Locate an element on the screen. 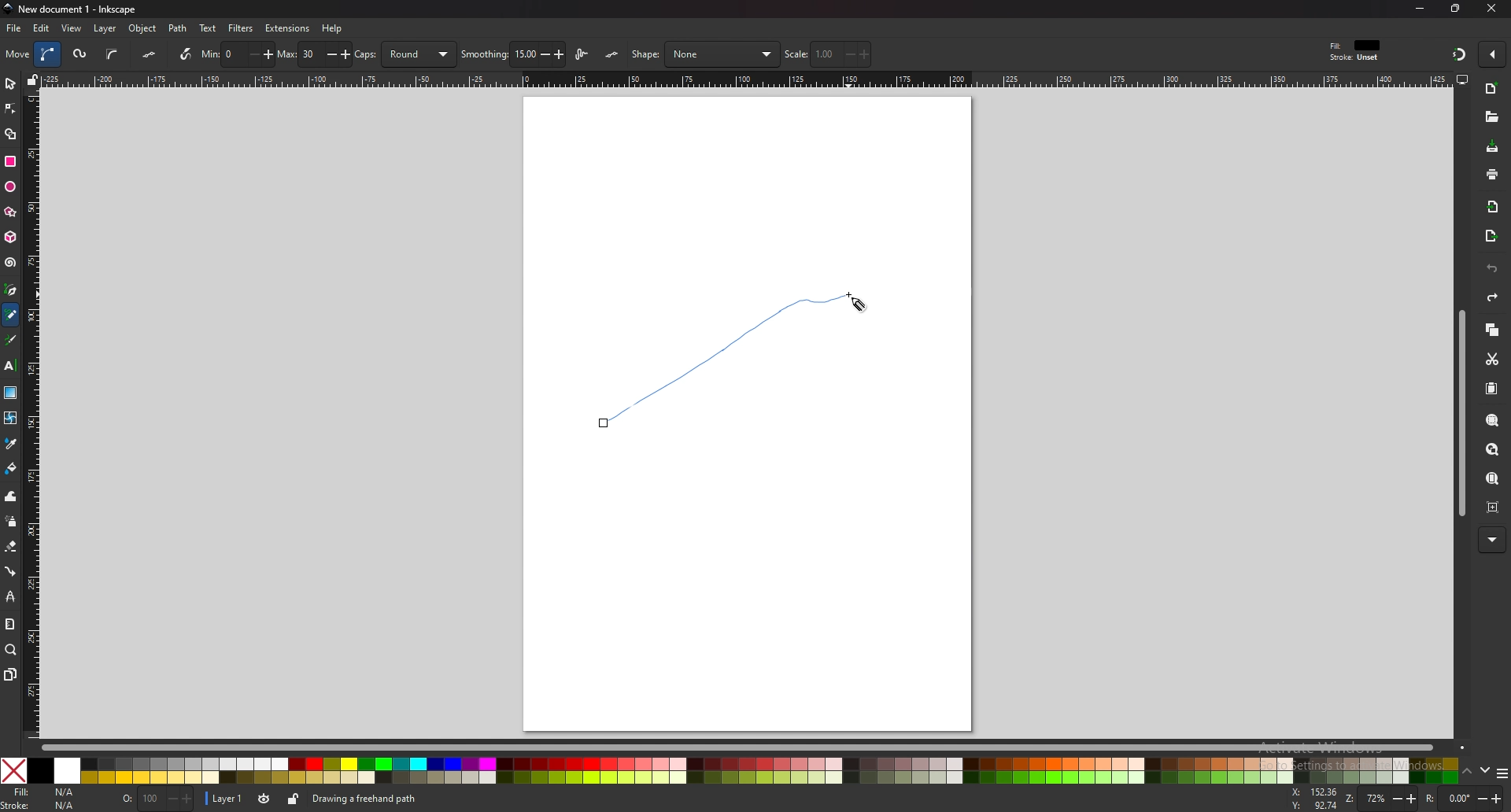 The width and height of the screenshot is (1511, 812). zoom page is located at coordinates (1492, 478).